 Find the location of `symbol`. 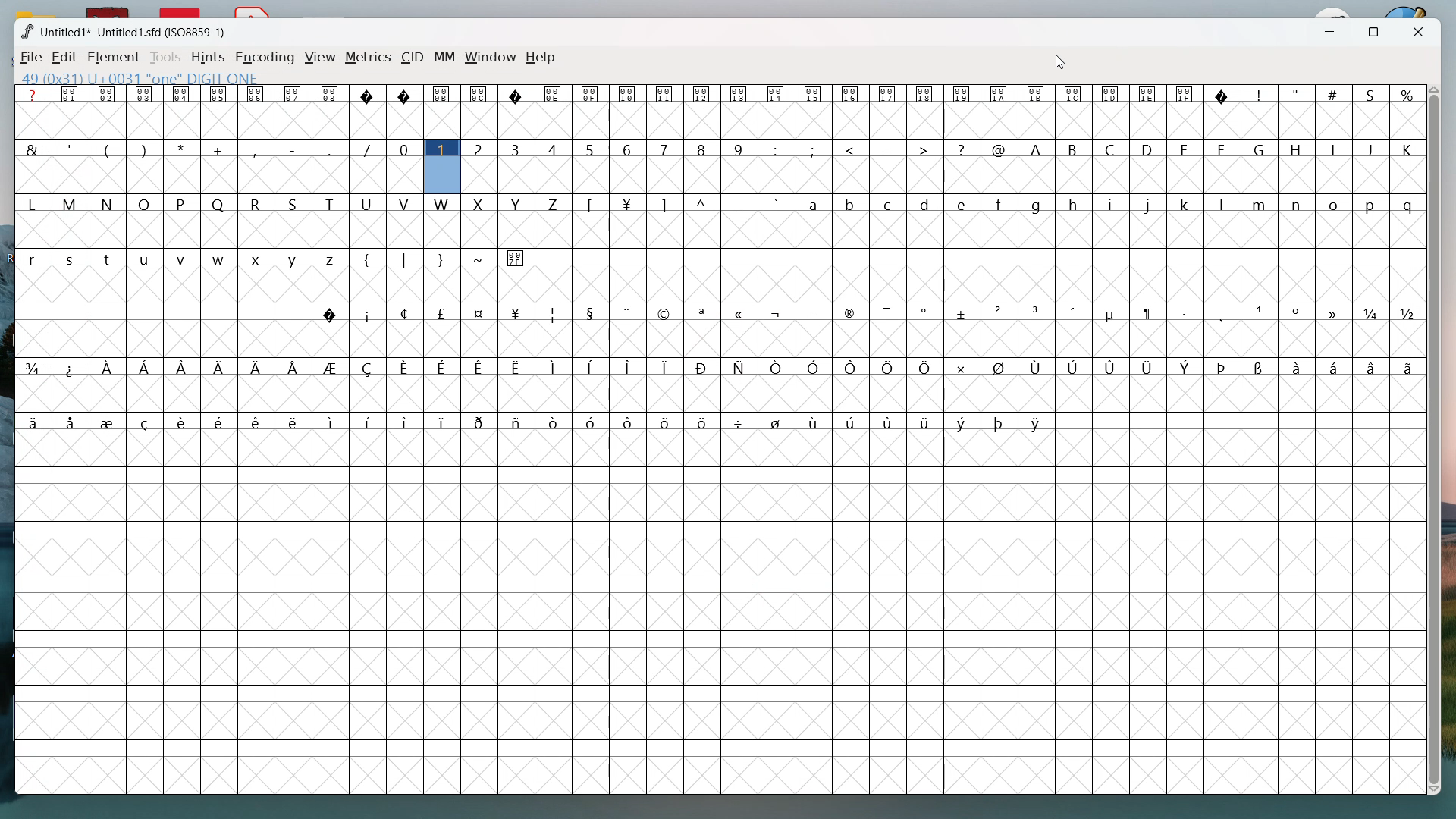

symbol is located at coordinates (739, 95).